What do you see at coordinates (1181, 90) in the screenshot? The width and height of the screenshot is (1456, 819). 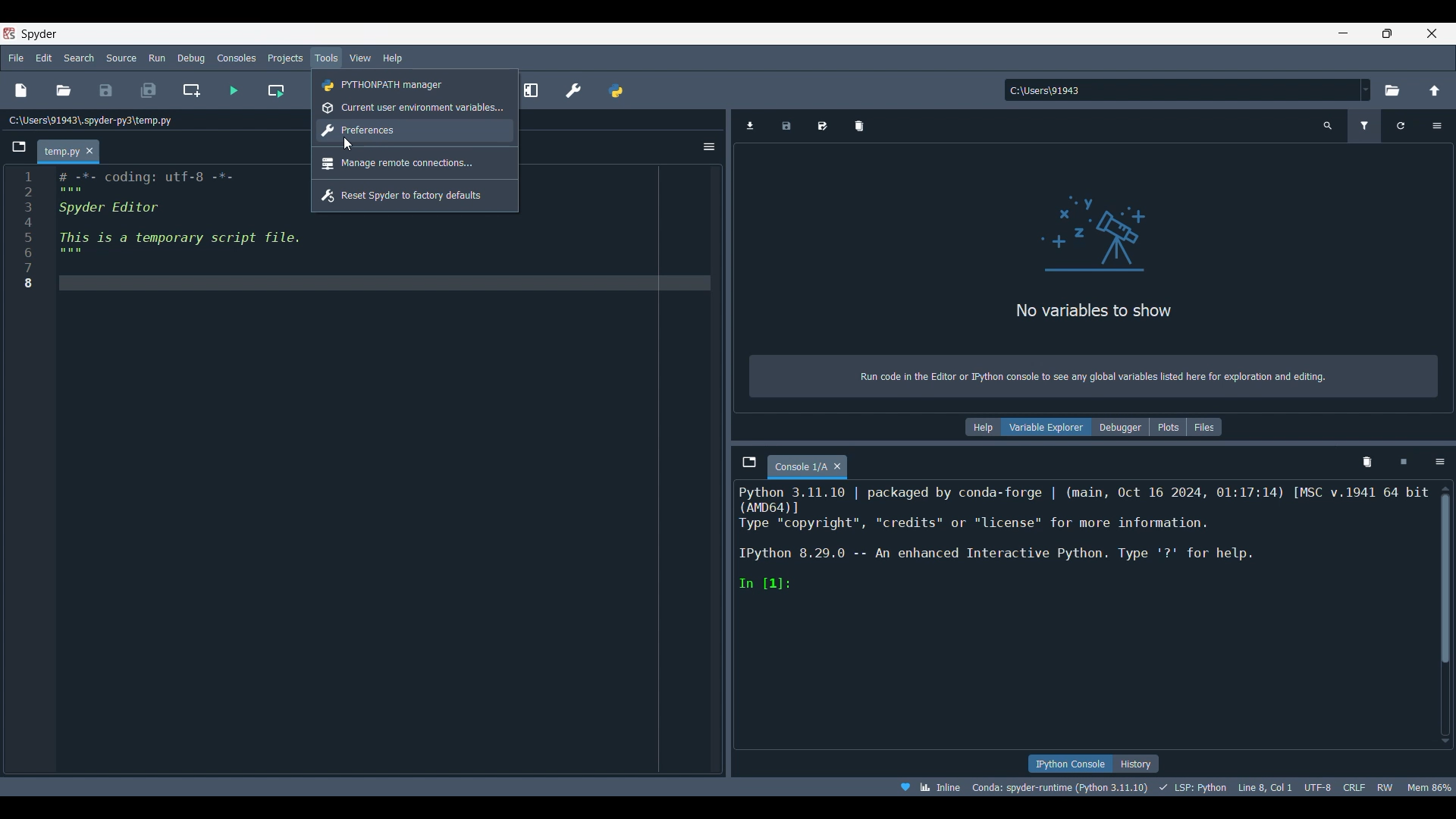 I see `Input location` at bounding box center [1181, 90].